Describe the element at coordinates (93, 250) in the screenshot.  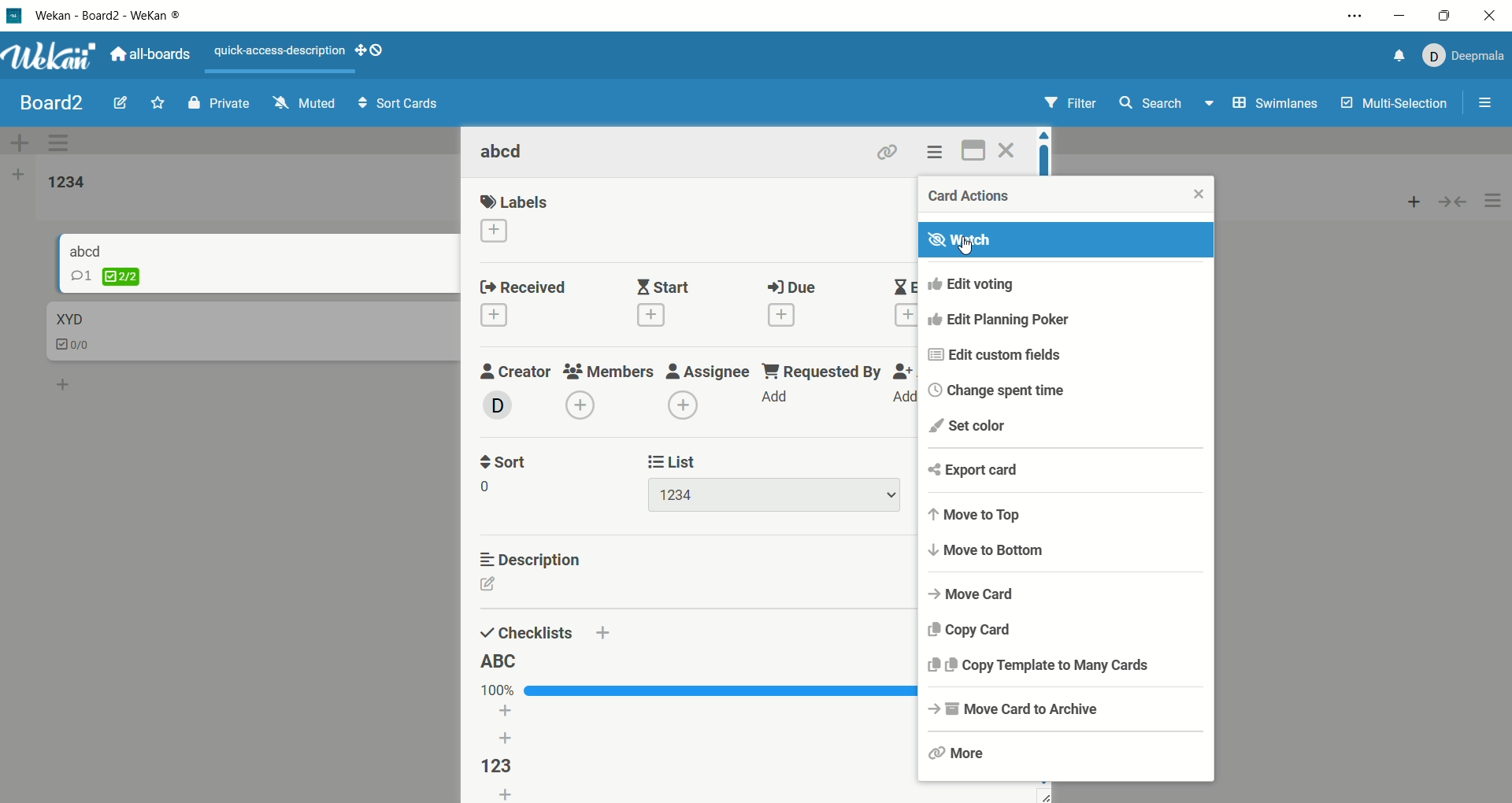
I see `card title` at that location.